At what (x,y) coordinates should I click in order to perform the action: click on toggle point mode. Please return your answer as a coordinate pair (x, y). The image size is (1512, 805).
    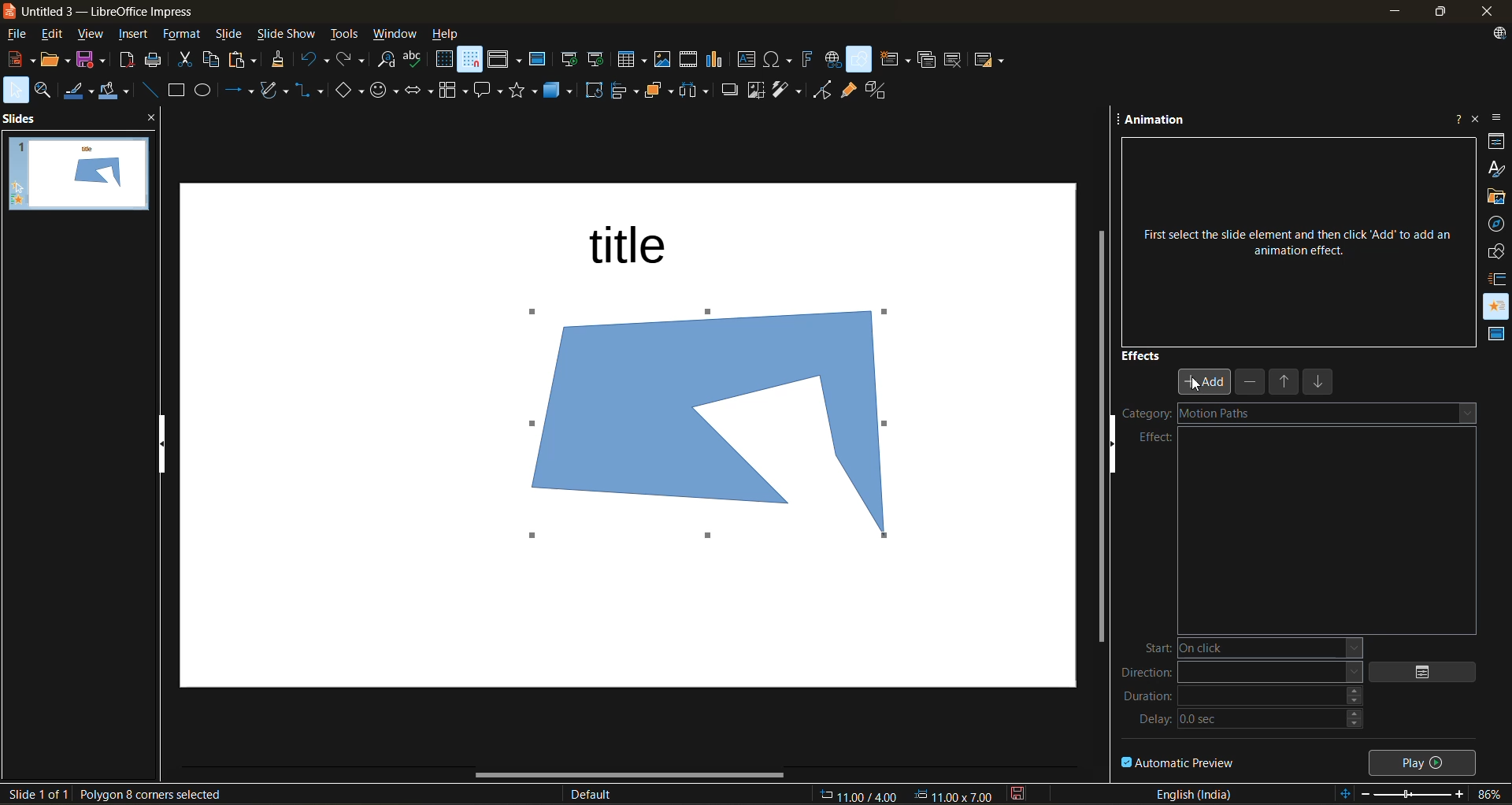
    Looking at the image, I should click on (823, 91).